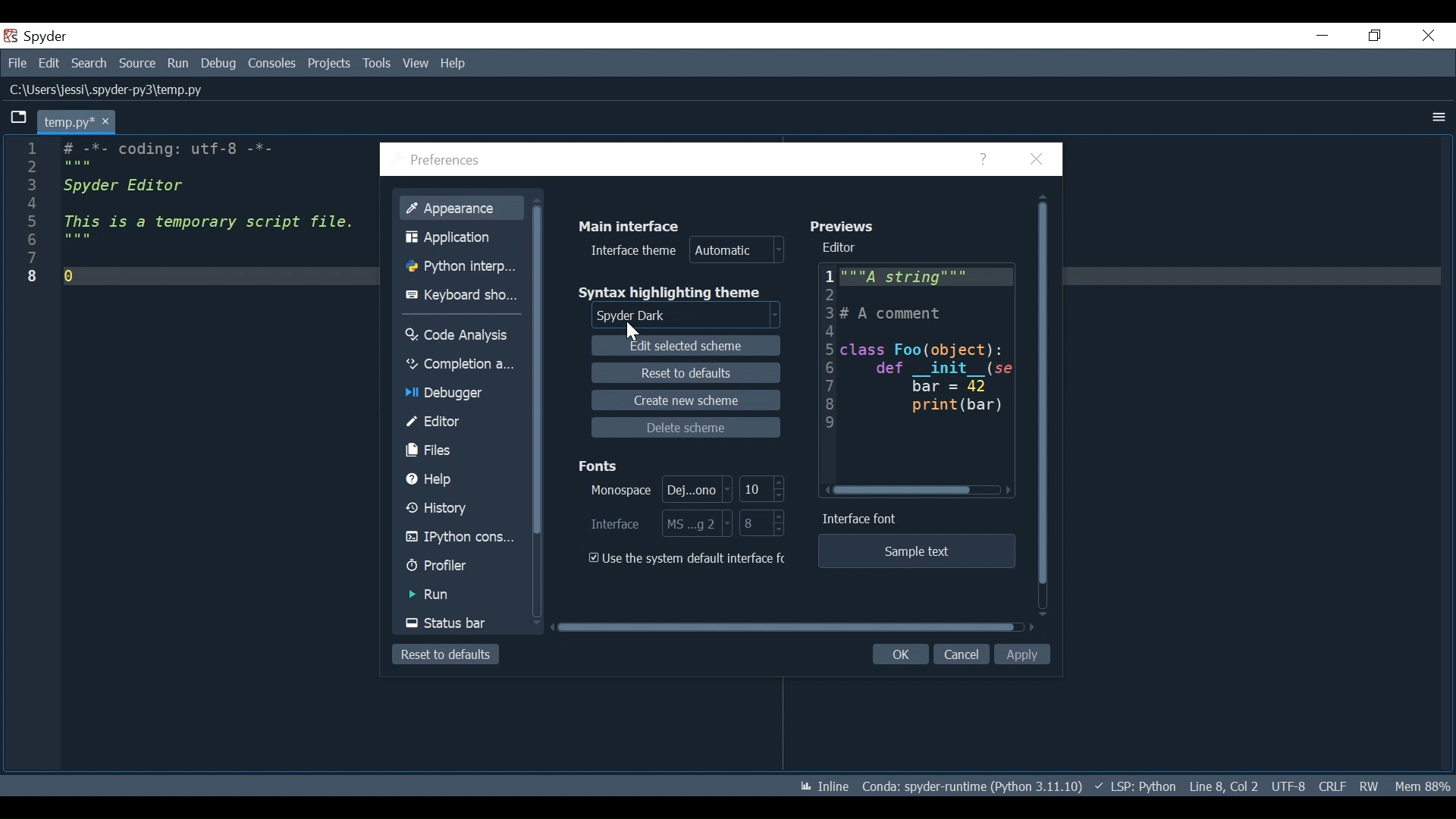 This screenshot has height=819, width=1456. What do you see at coordinates (463, 538) in the screenshot?
I see `IPython Console` at bounding box center [463, 538].